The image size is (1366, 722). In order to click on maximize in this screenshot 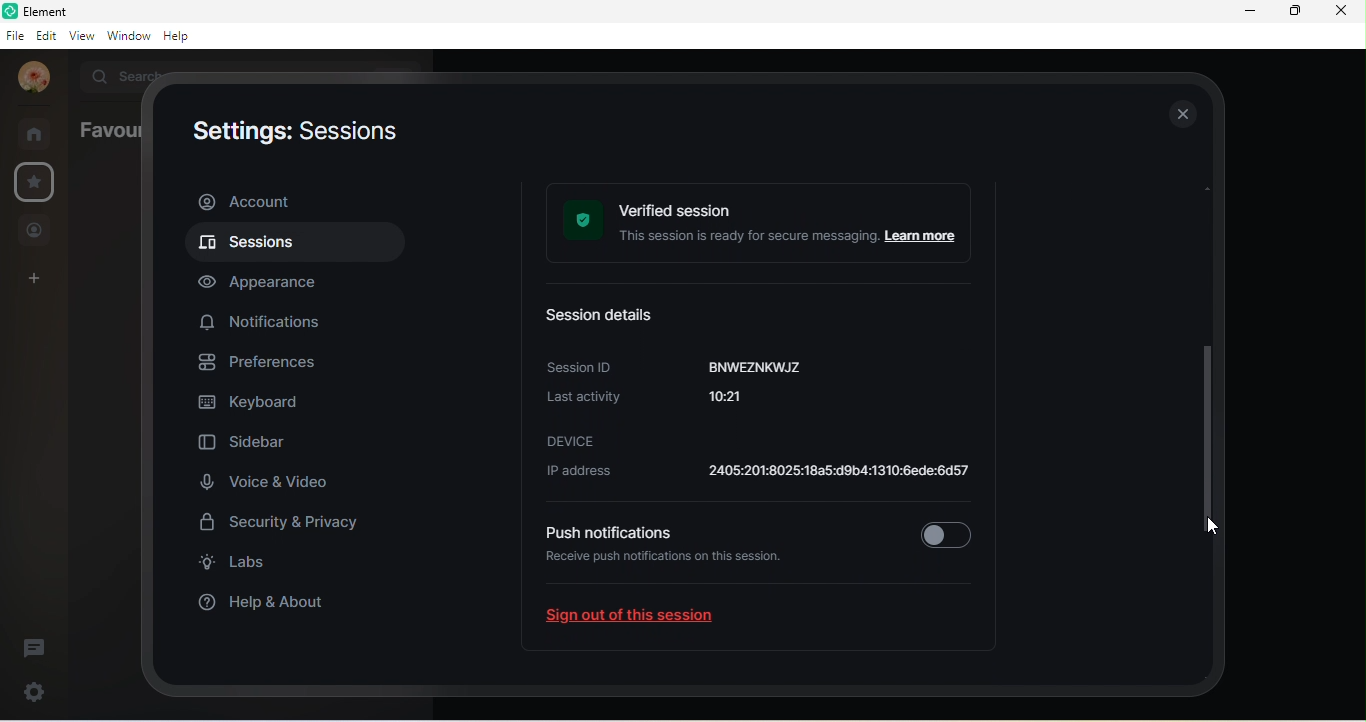, I will do `click(1293, 10)`.